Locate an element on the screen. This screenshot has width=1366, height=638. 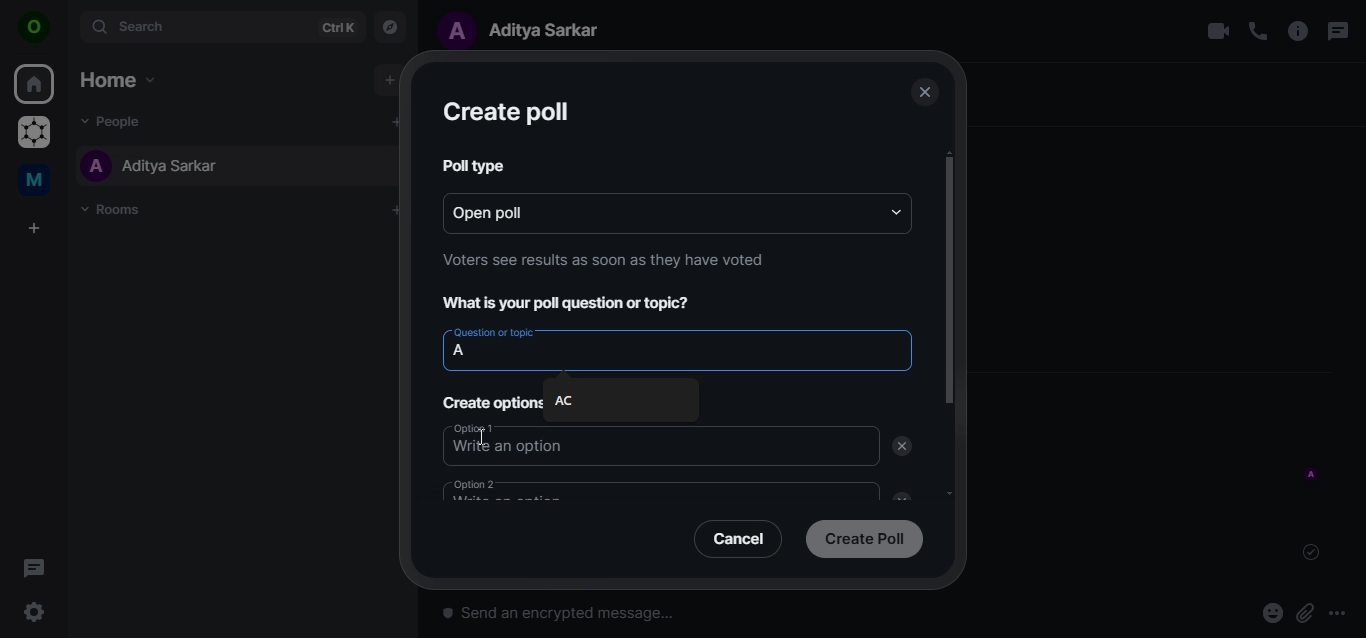
more options is located at coordinates (1344, 613).